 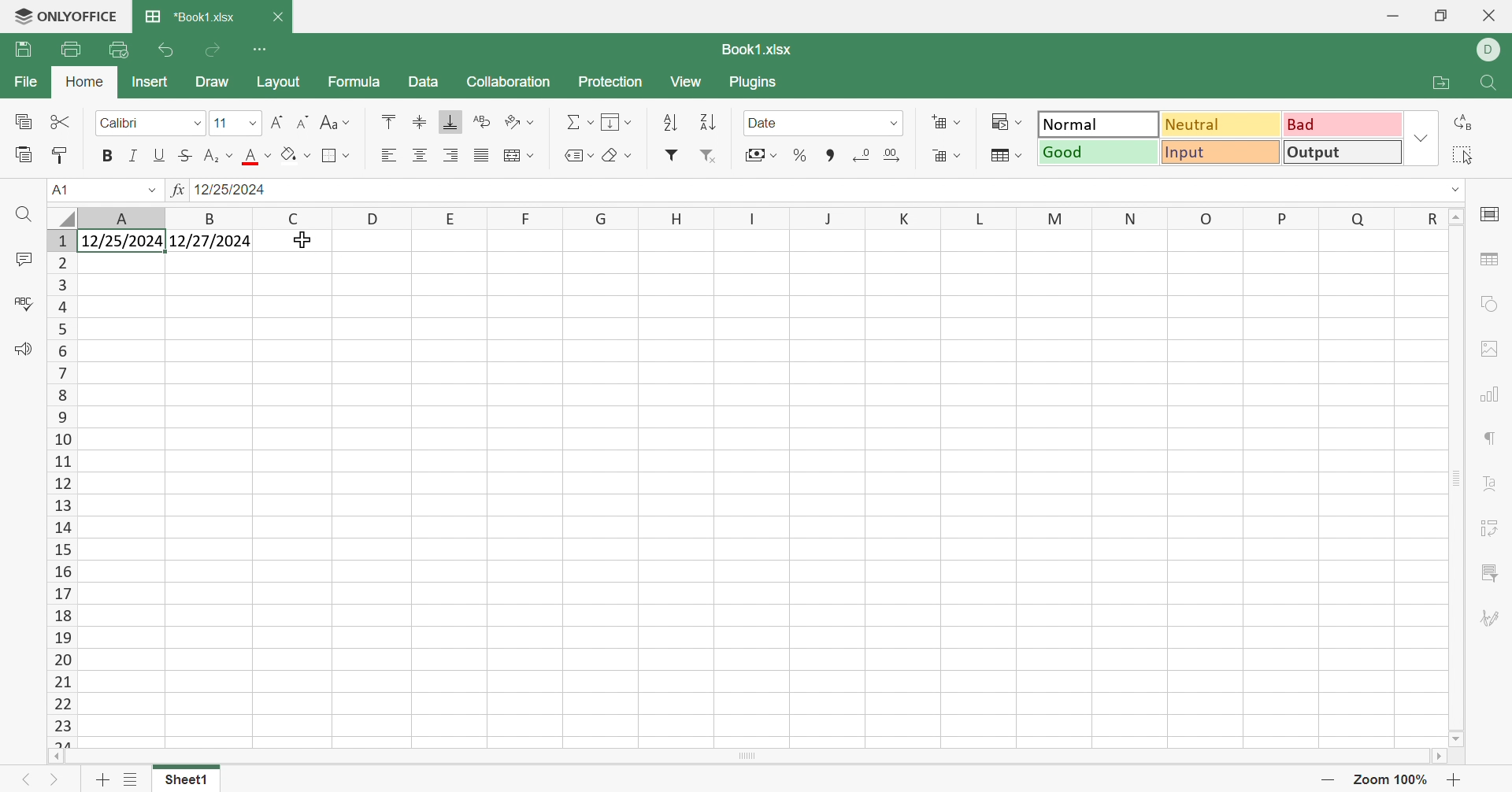 I want to click on Percent style, so click(x=802, y=155).